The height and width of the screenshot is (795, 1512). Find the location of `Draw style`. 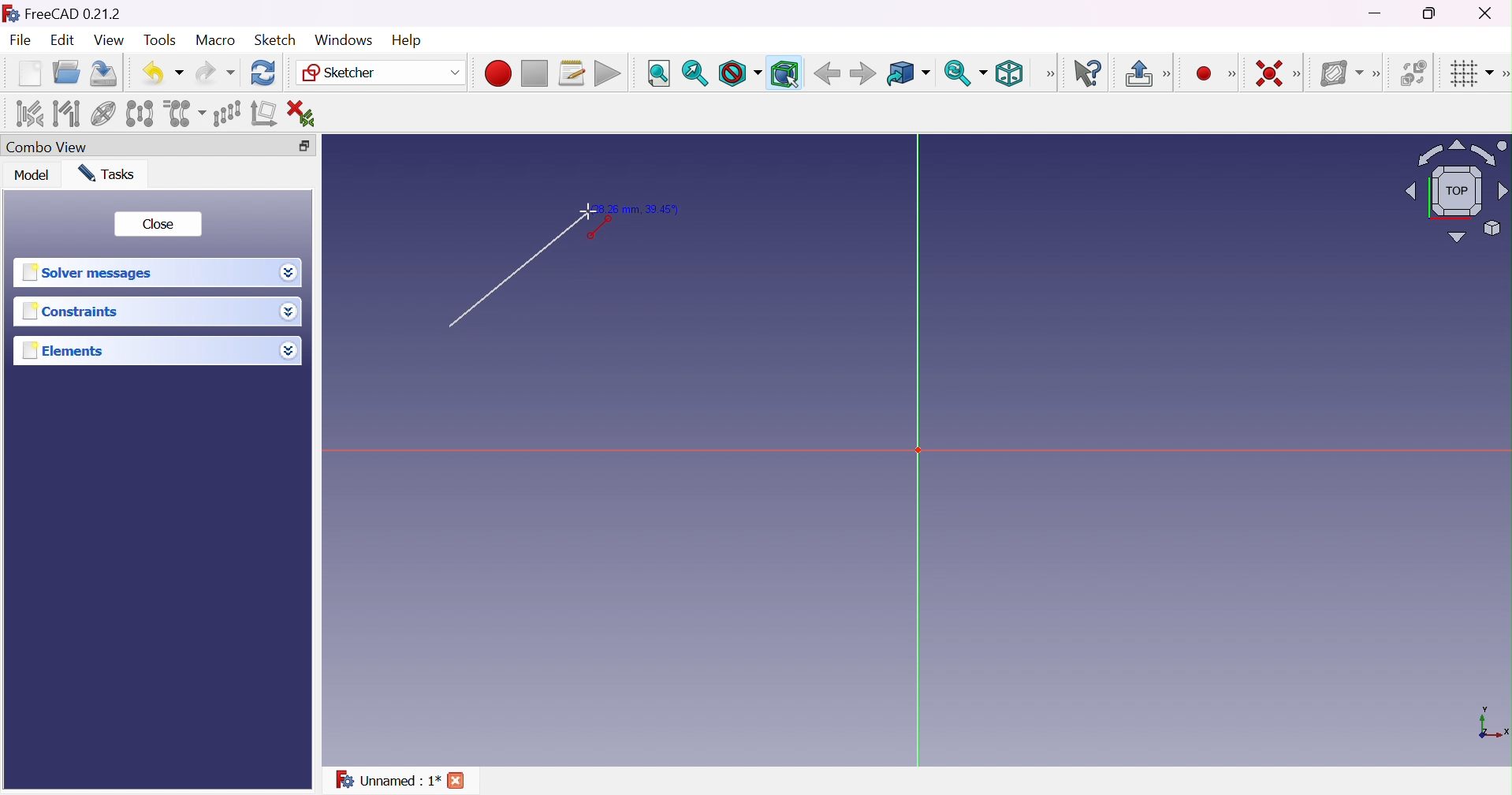

Draw style is located at coordinates (740, 73).